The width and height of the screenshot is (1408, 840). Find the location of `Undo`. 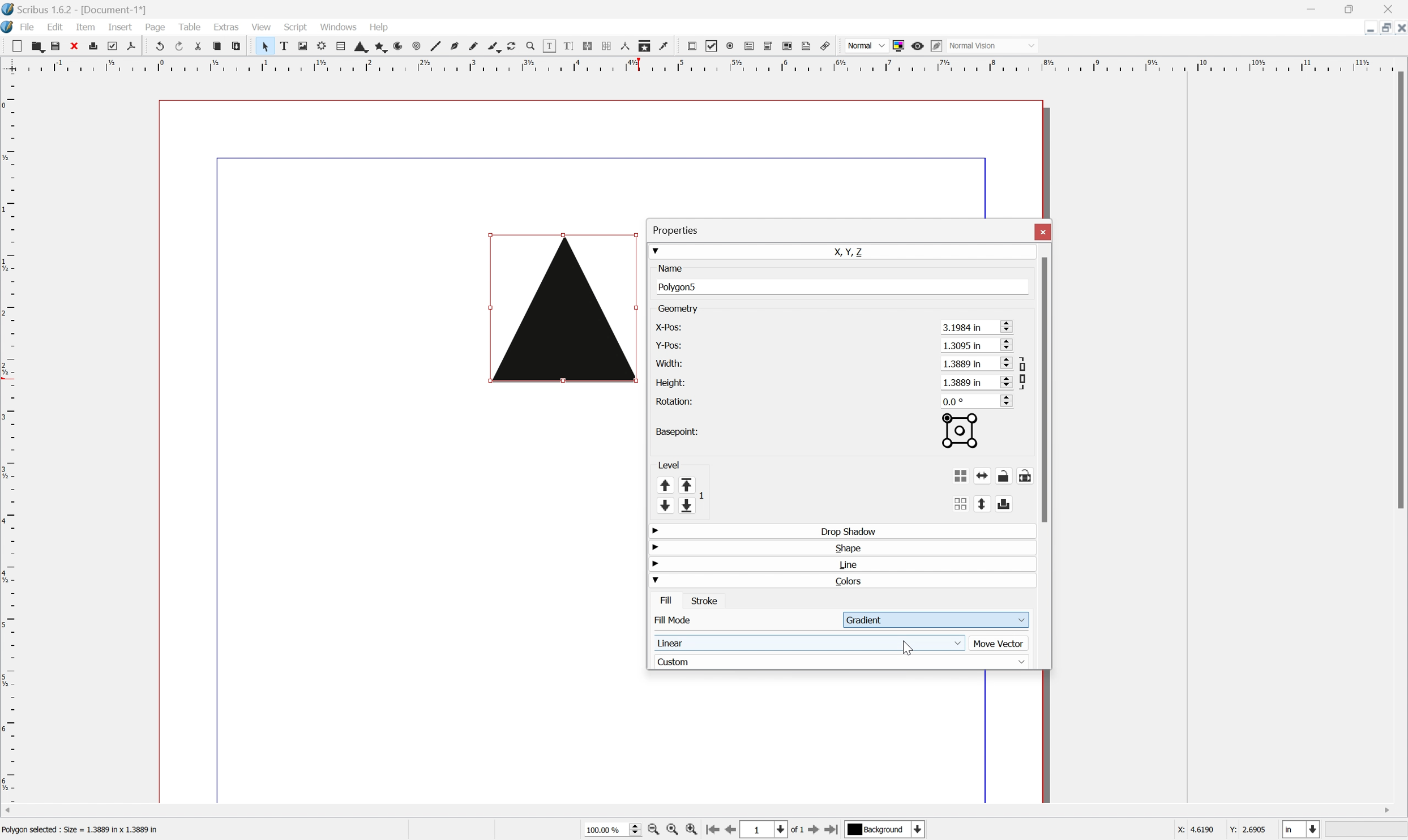

Undo is located at coordinates (157, 44).